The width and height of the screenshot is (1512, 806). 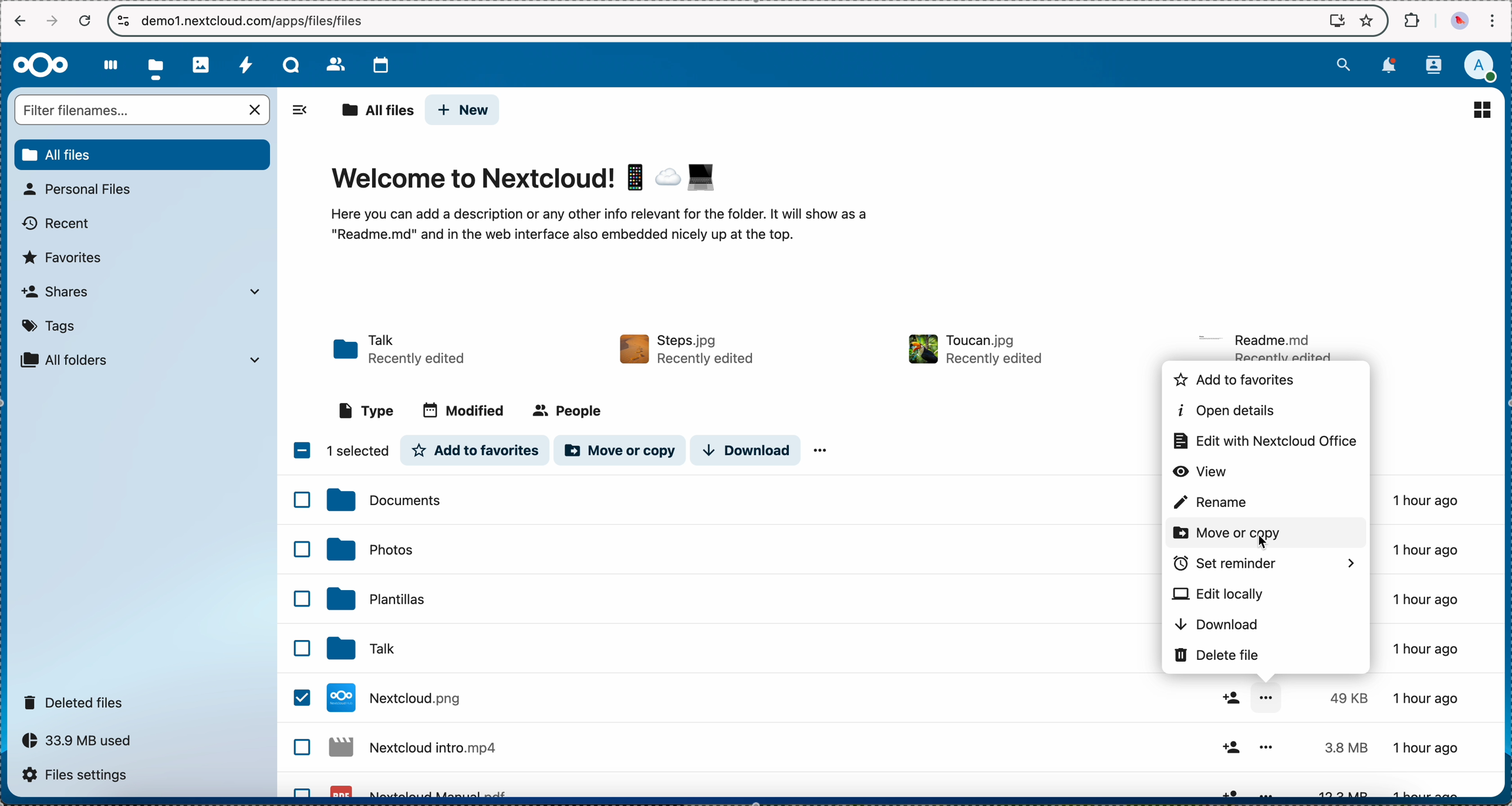 What do you see at coordinates (975, 350) in the screenshot?
I see `file` at bounding box center [975, 350].